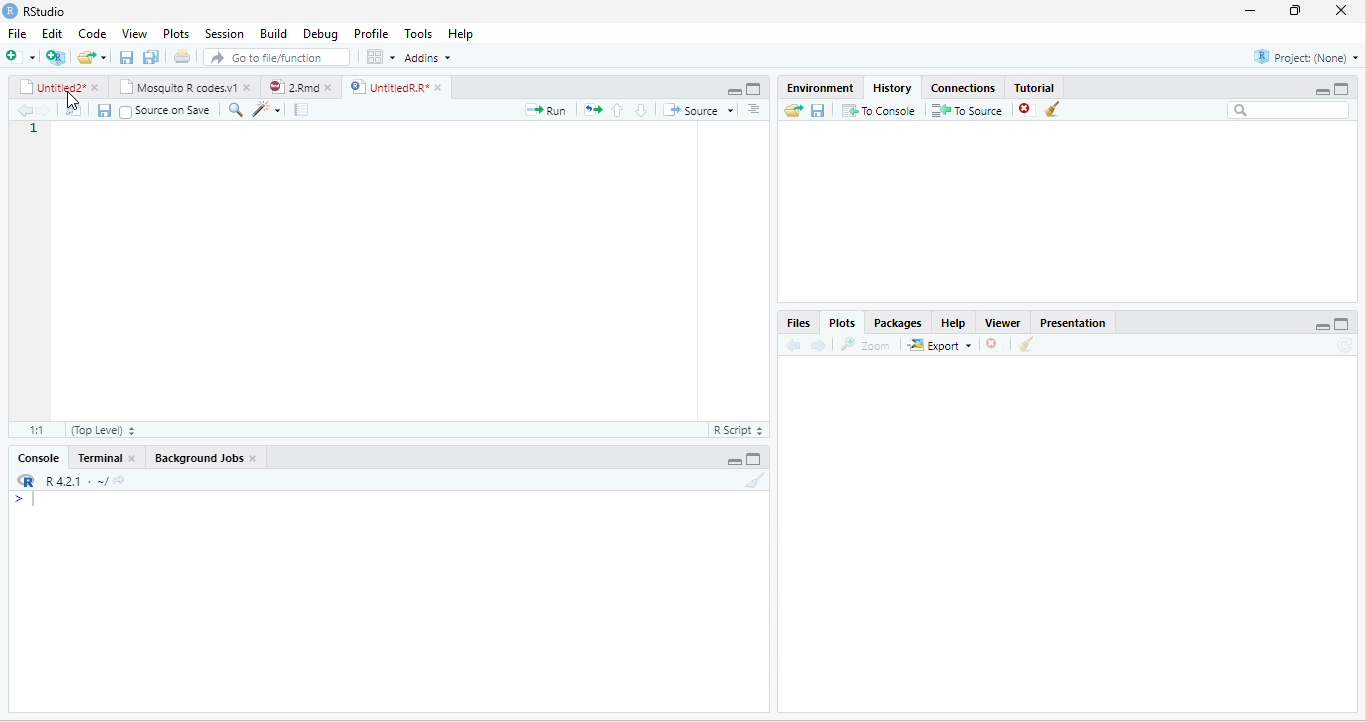 This screenshot has width=1366, height=722. Describe the element at coordinates (295, 86) in the screenshot. I see `2Rnd` at that location.